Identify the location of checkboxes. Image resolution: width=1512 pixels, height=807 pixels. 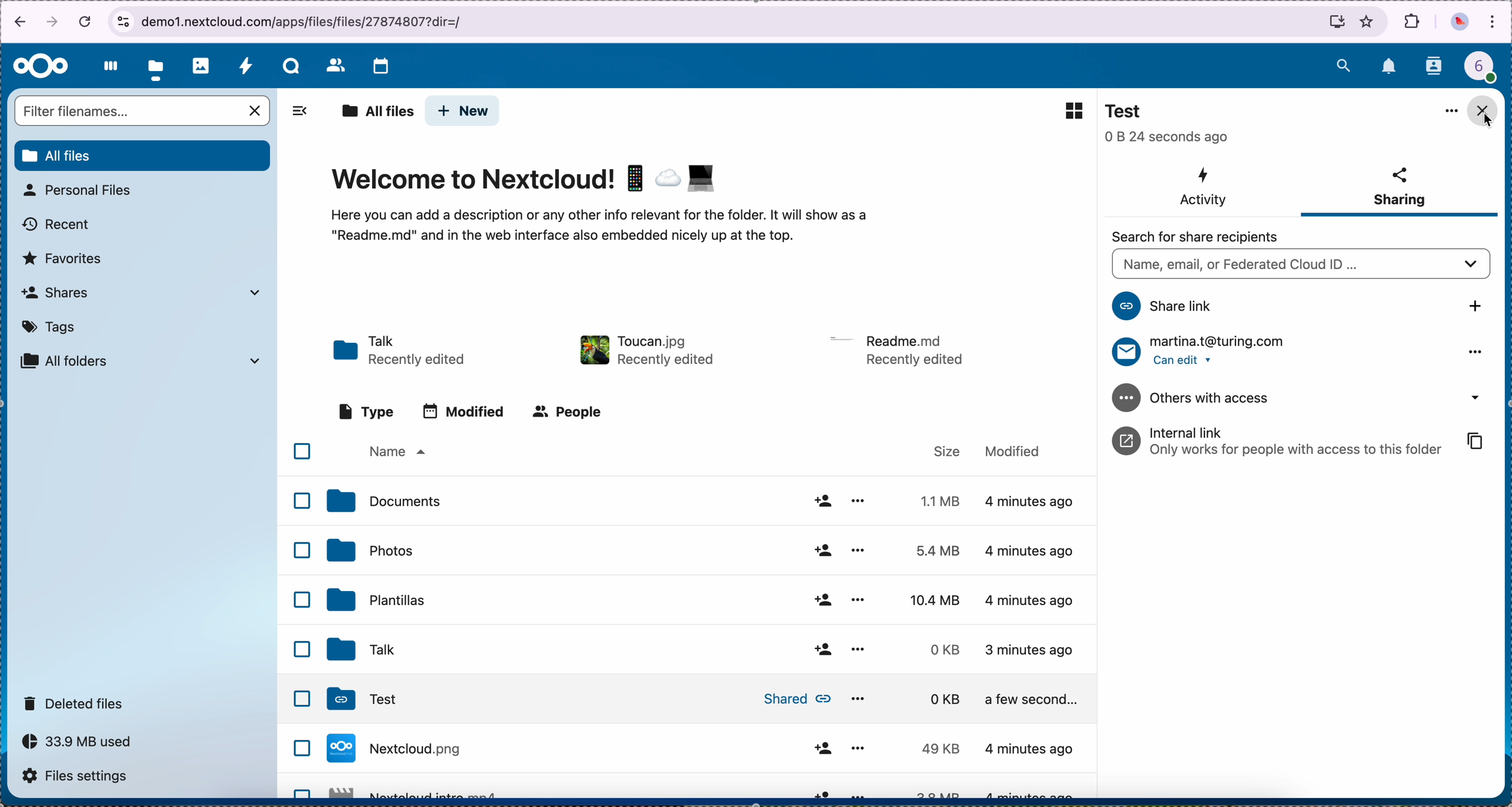
(296, 614).